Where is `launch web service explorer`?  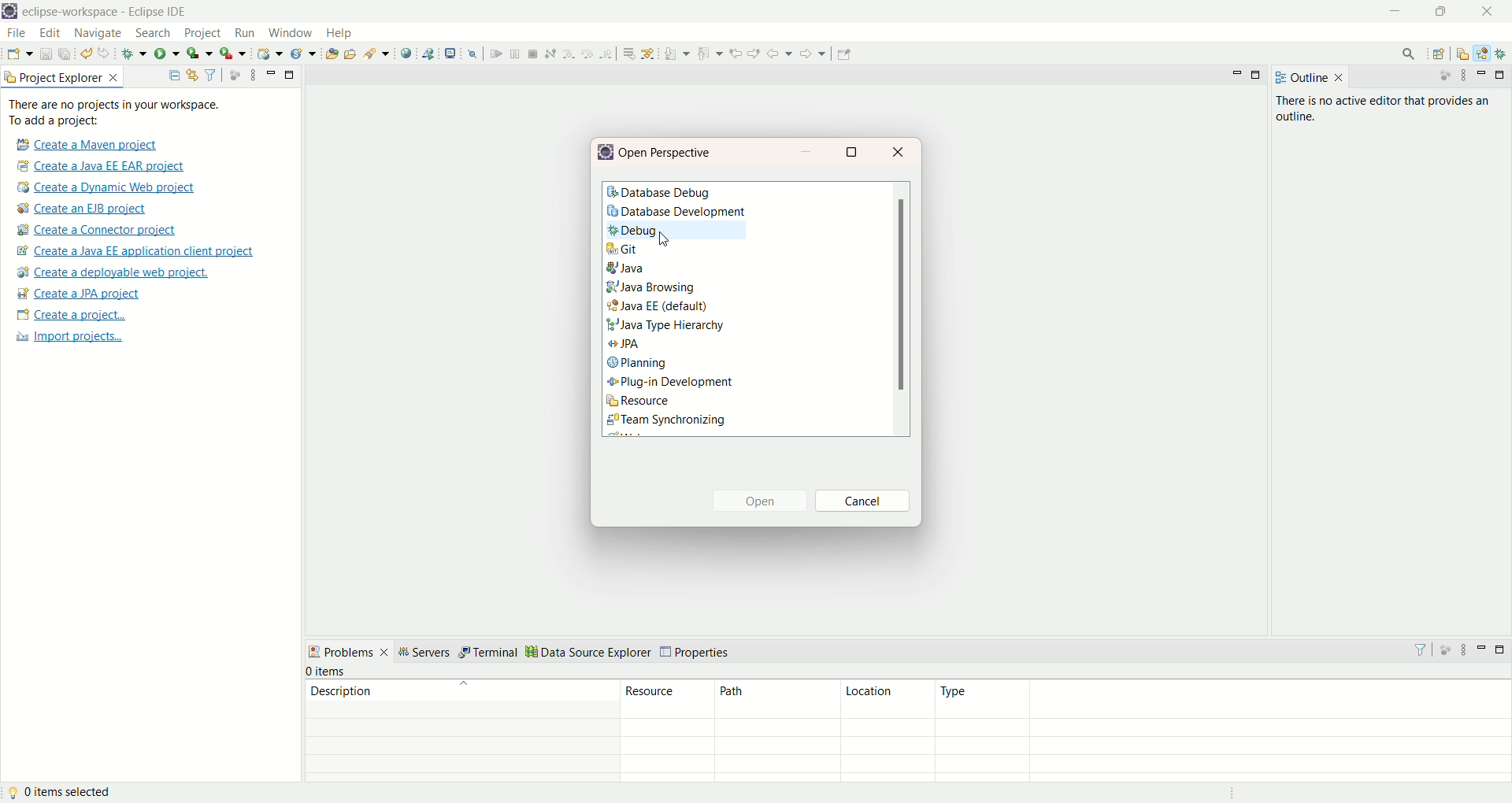 launch web service explorer is located at coordinates (429, 54).